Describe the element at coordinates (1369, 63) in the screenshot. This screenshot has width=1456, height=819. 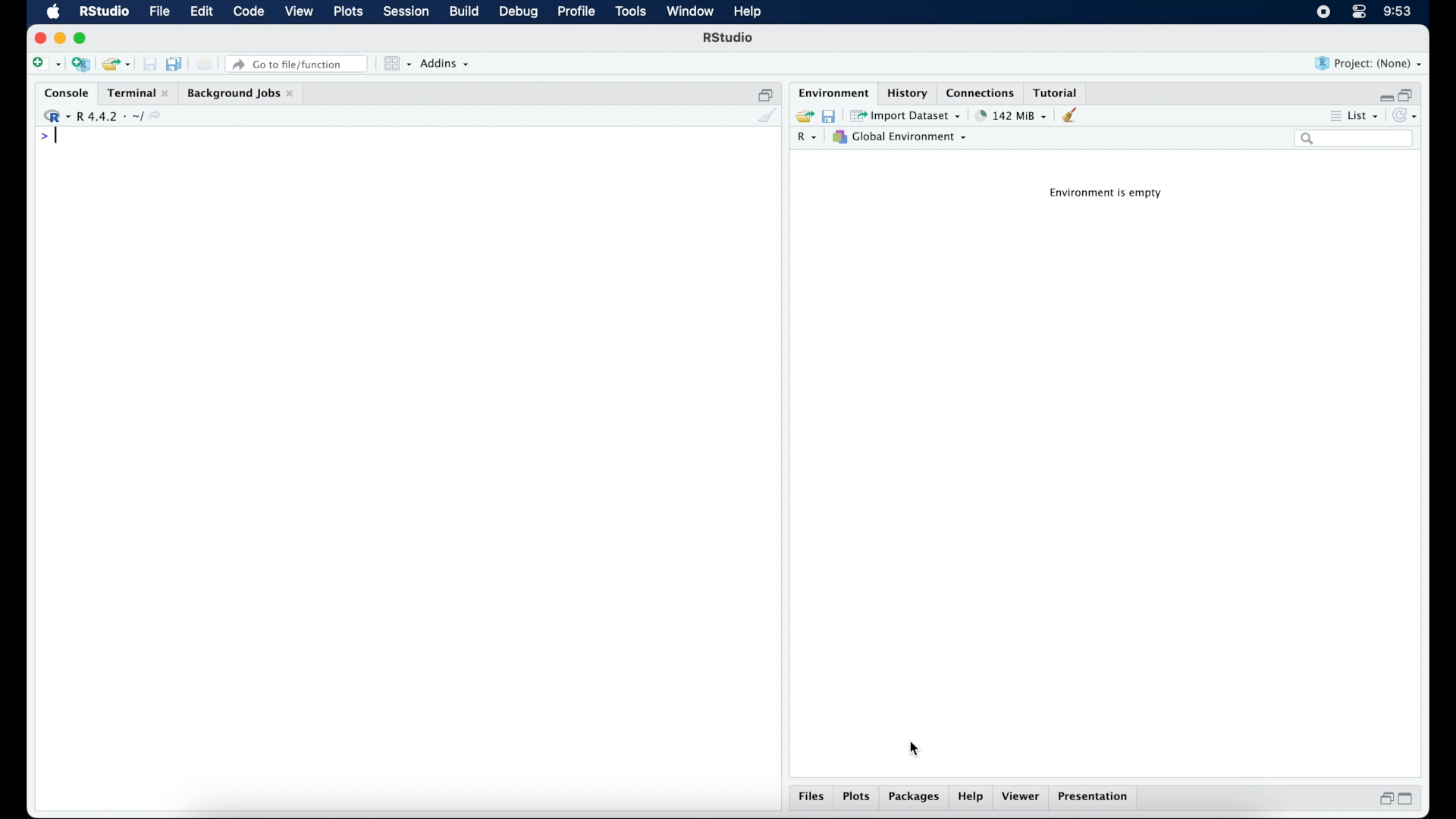
I see `project (none)` at that location.